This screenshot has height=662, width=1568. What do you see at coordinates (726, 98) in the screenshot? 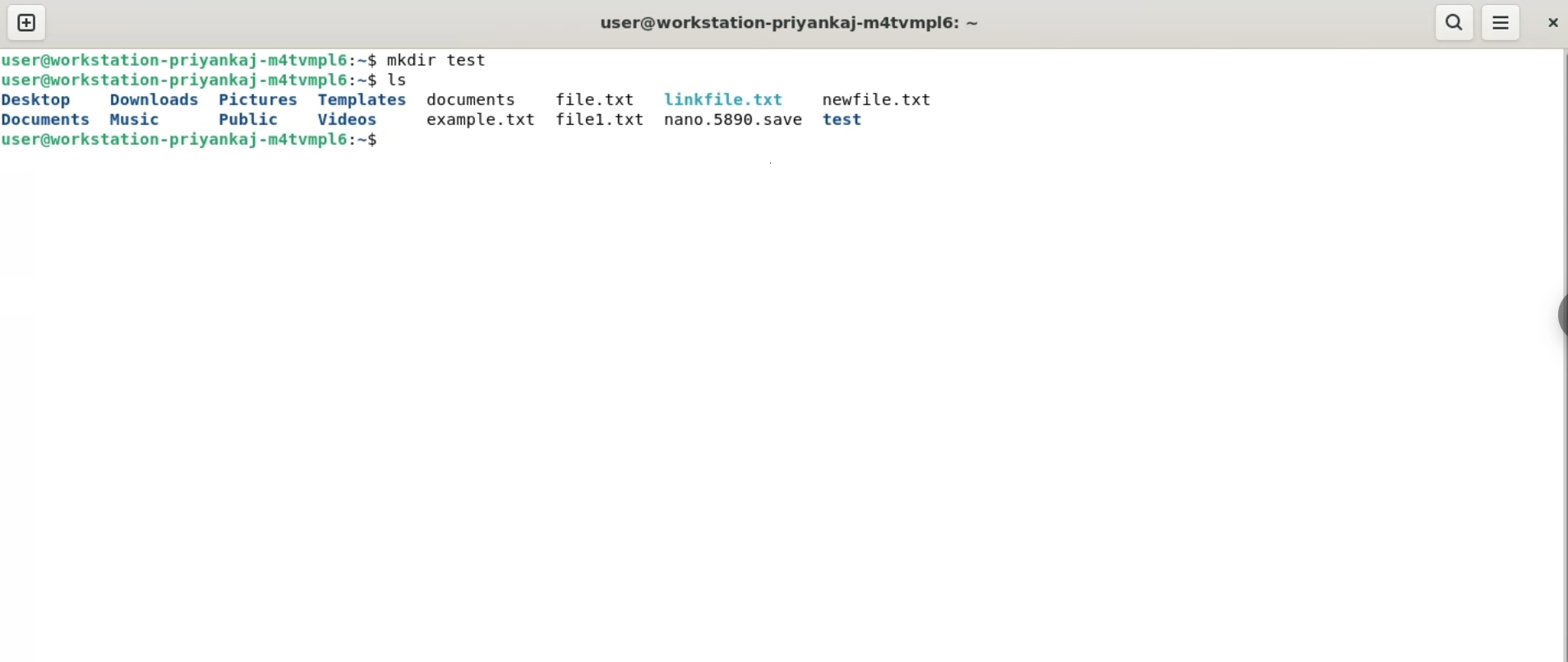
I see `linkfile.txt` at bounding box center [726, 98].